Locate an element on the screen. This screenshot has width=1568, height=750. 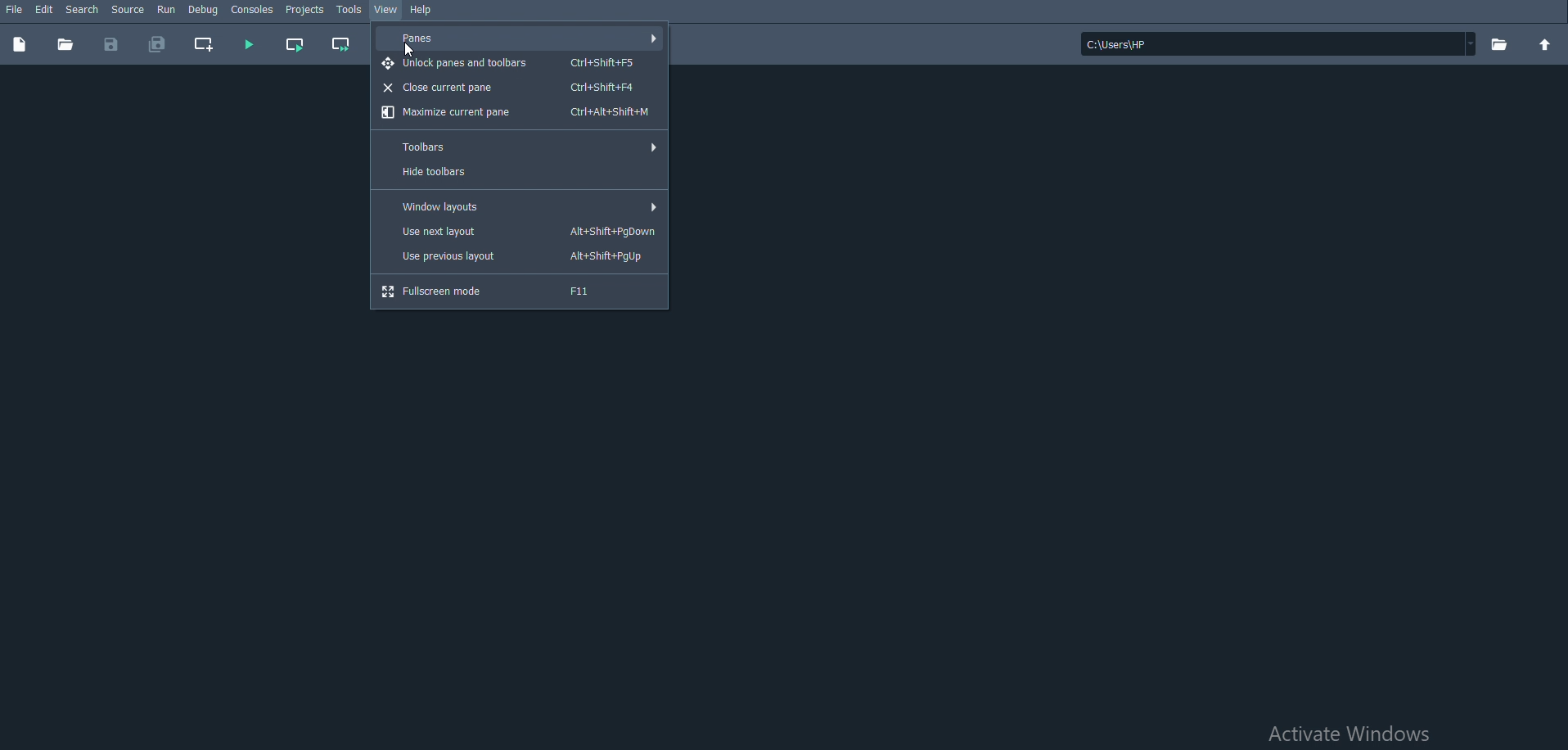
Search is located at coordinates (82, 9).